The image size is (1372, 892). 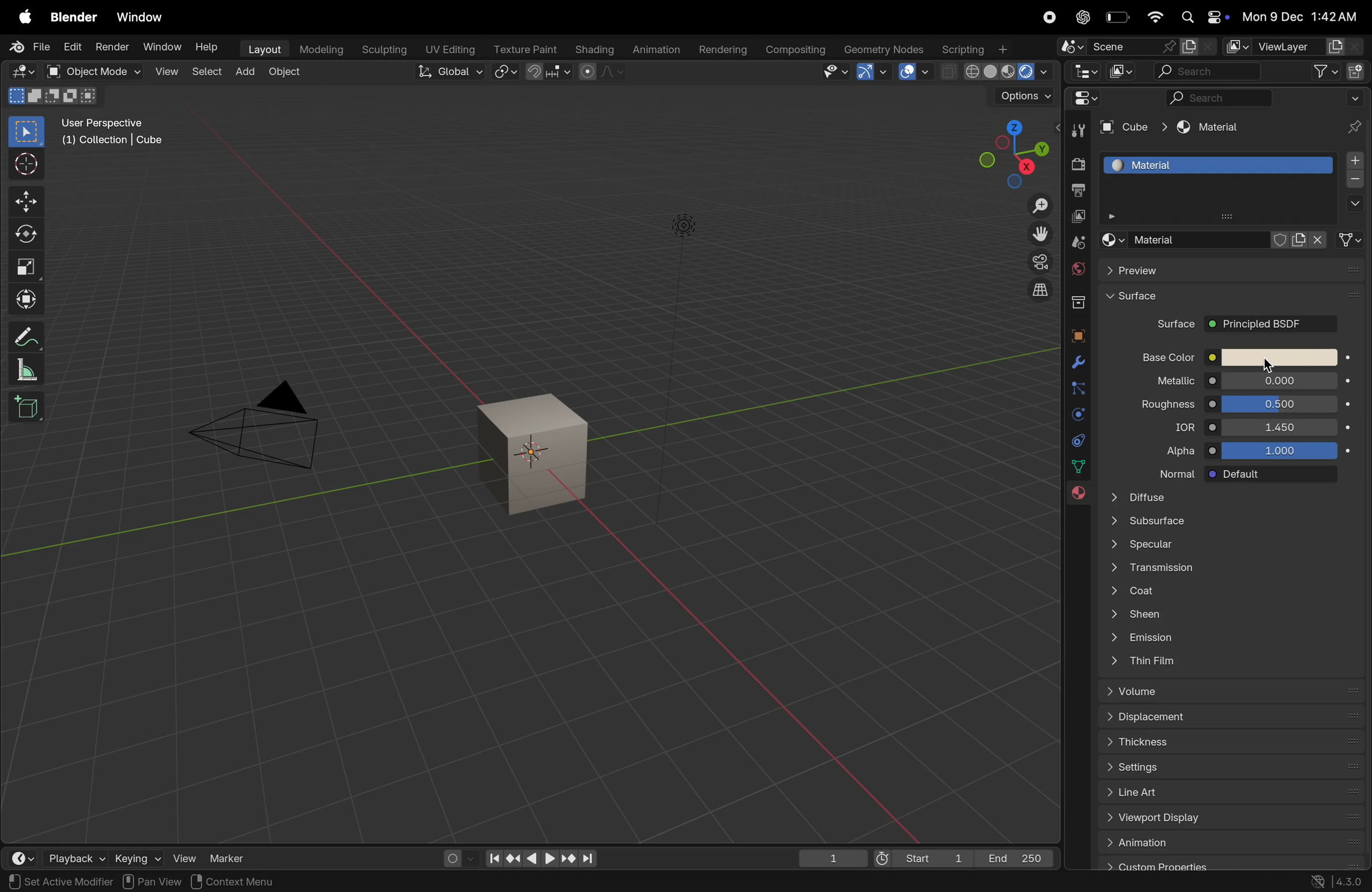 I want to click on coat, so click(x=1223, y=593).